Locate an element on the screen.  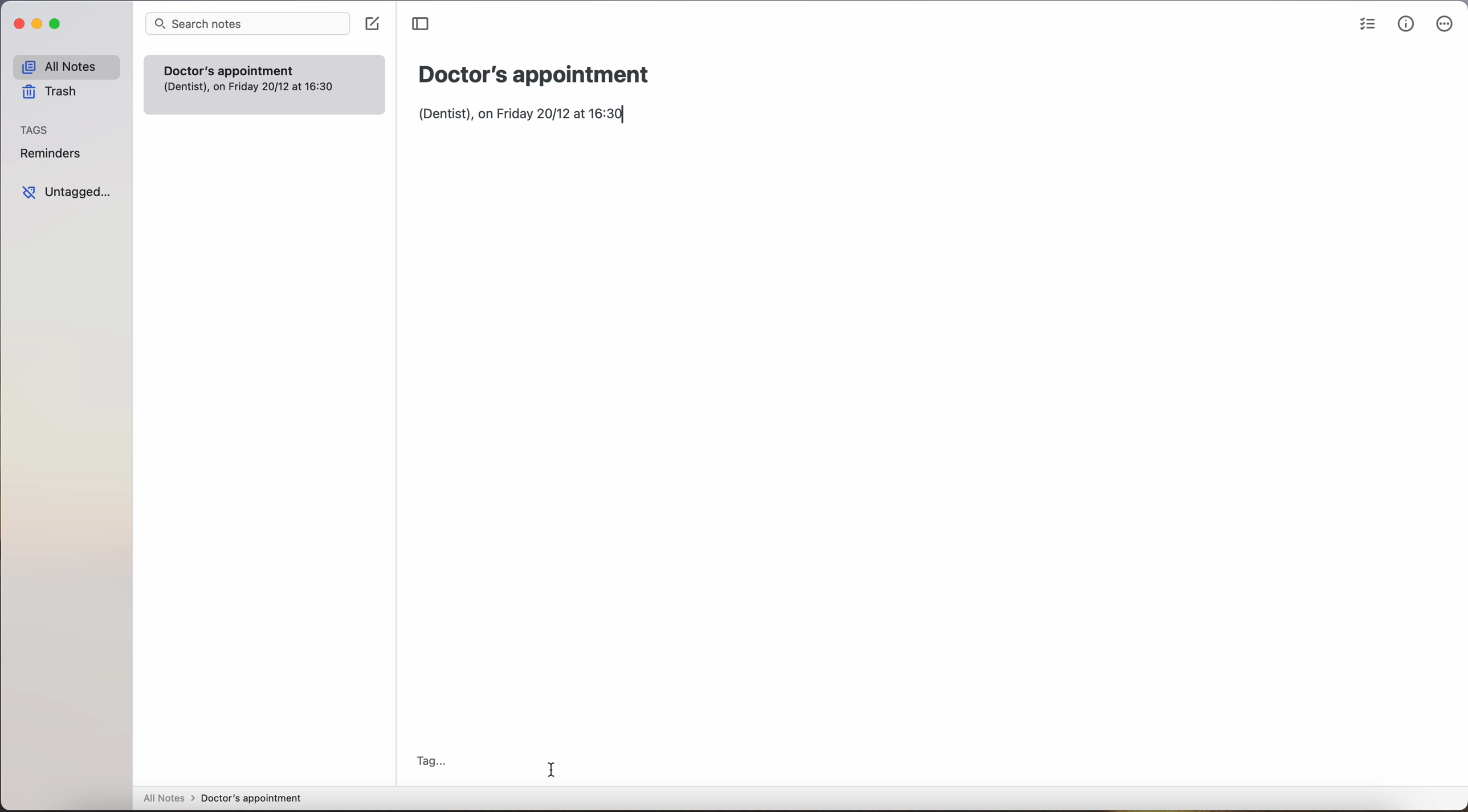
(Dentist), on Friday 20/12 at 16:30 is located at coordinates (528, 115).